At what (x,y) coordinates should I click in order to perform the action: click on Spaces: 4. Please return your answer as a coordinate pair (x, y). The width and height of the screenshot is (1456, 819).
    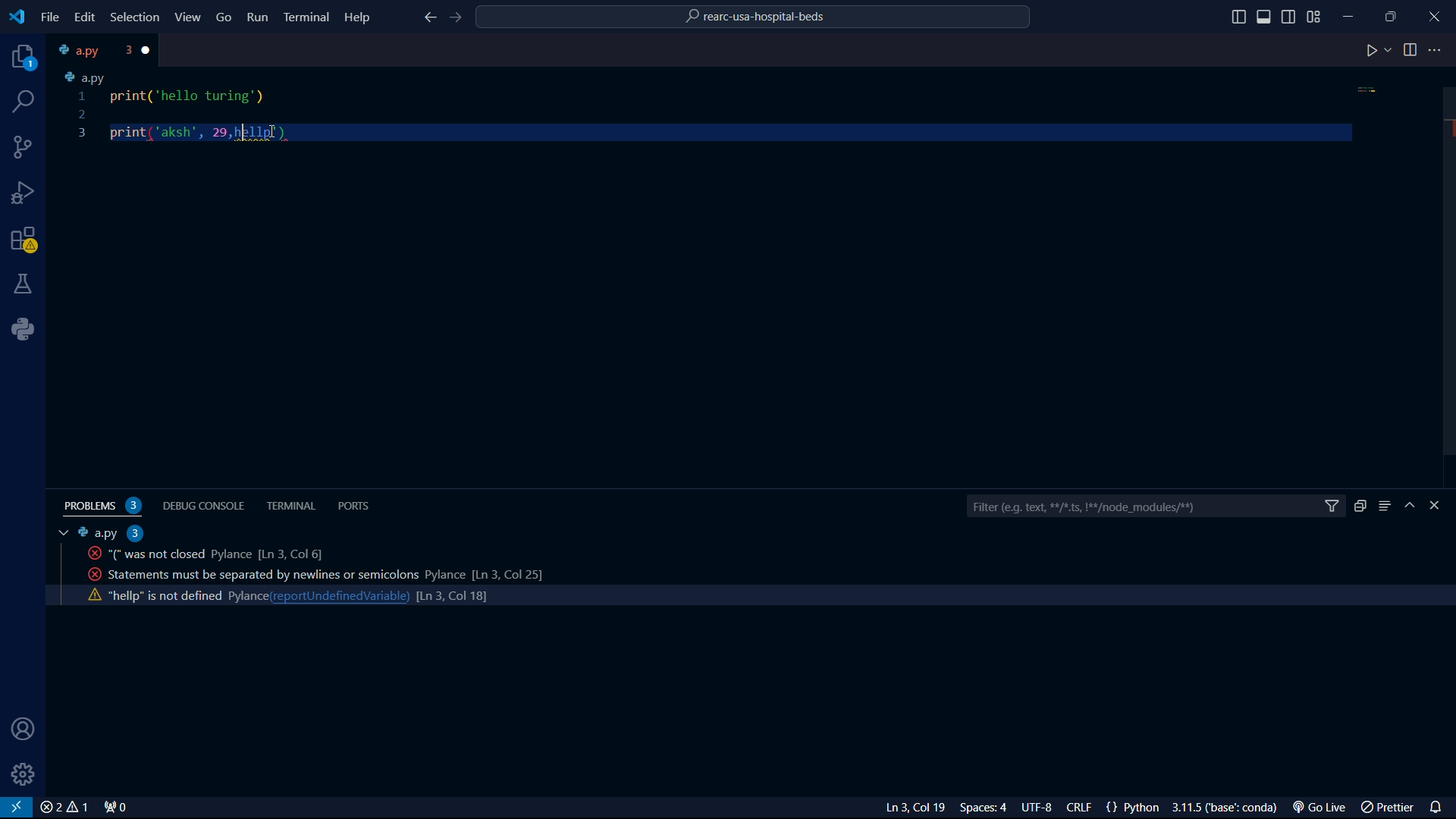
    Looking at the image, I should click on (987, 808).